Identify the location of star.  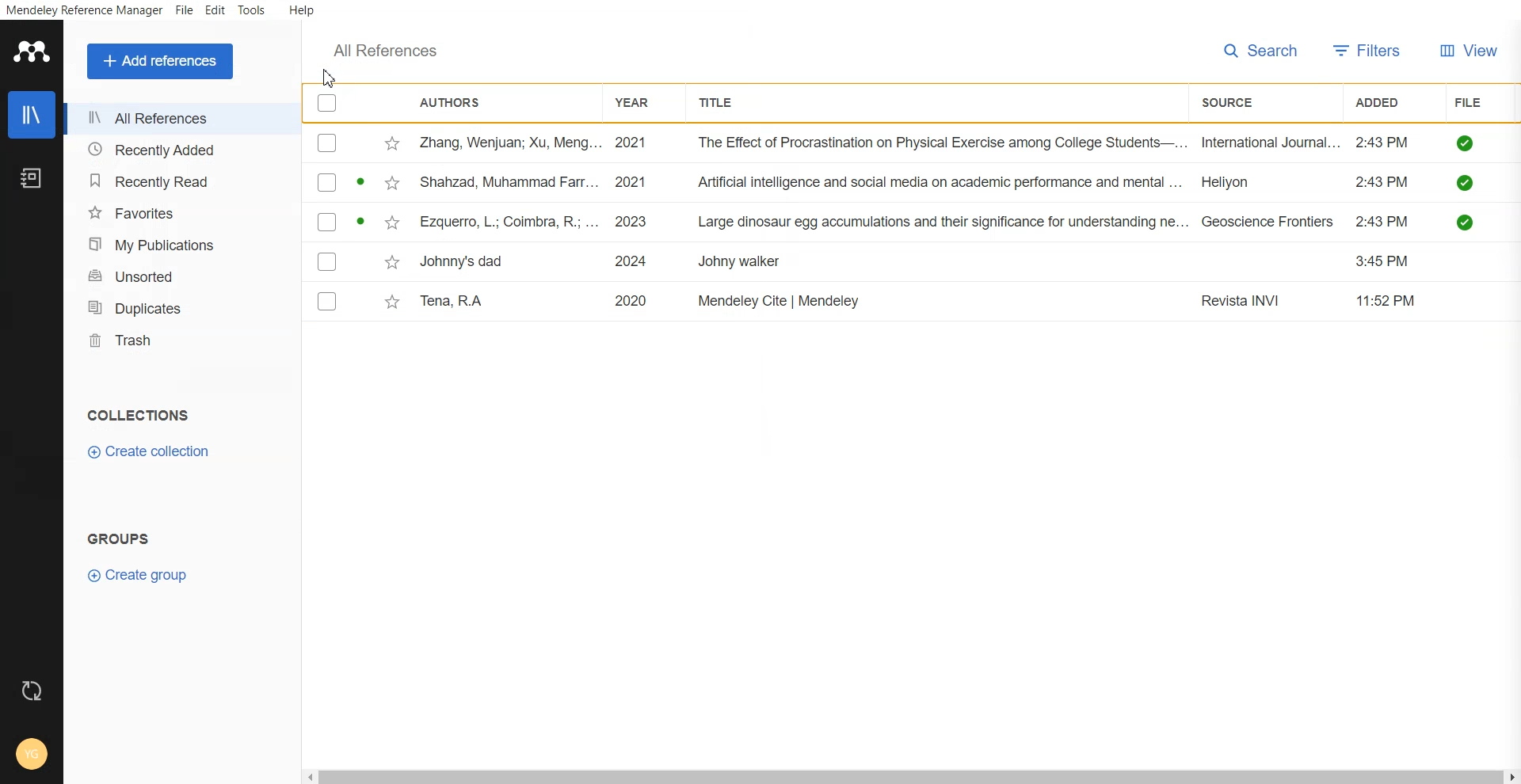
(389, 184).